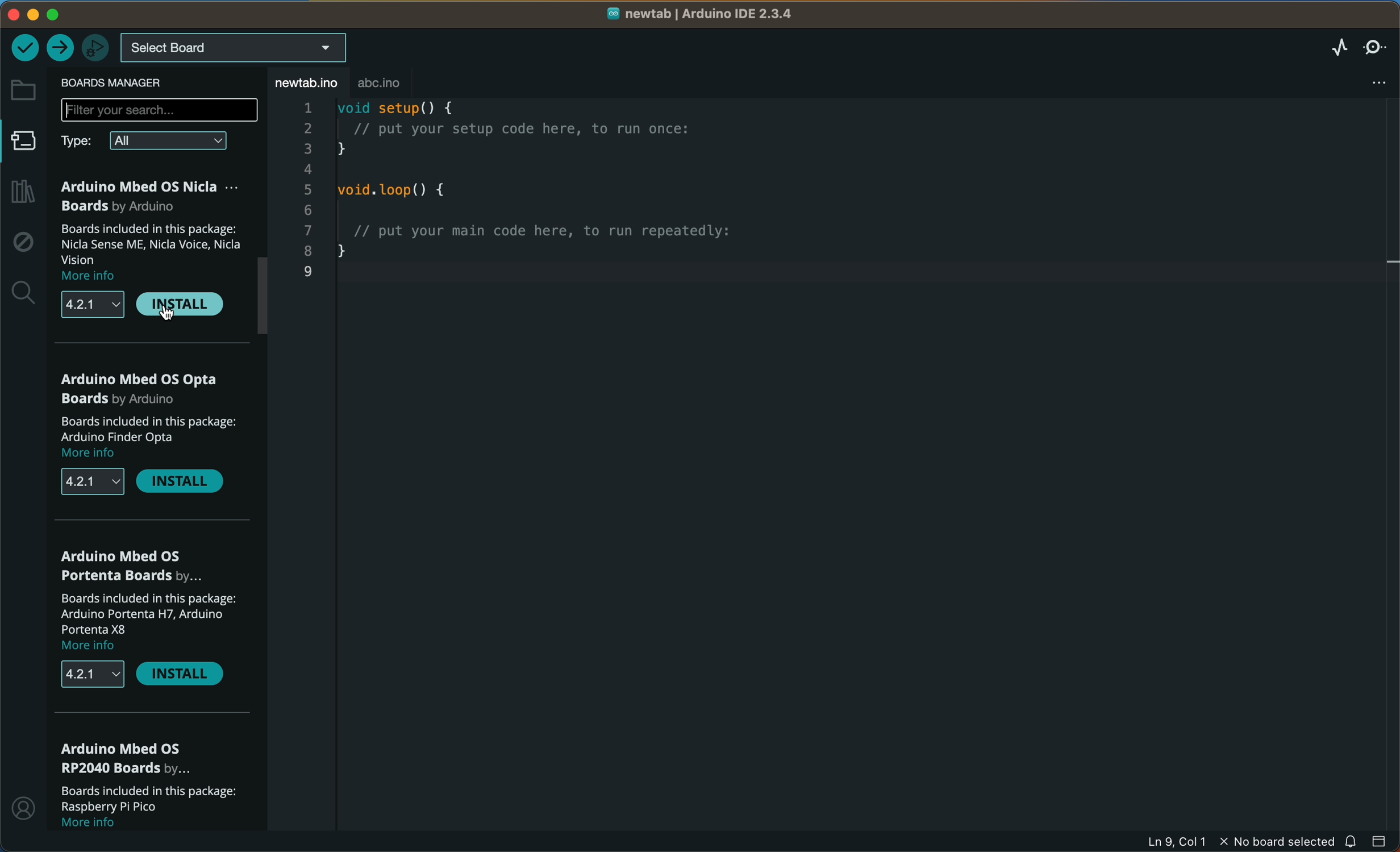 This screenshot has width=1400, height=852. What do you see at coordinates (152, 196) in the screenshot?
I see `OSNicla Boards` at bounding box center [152, 196].